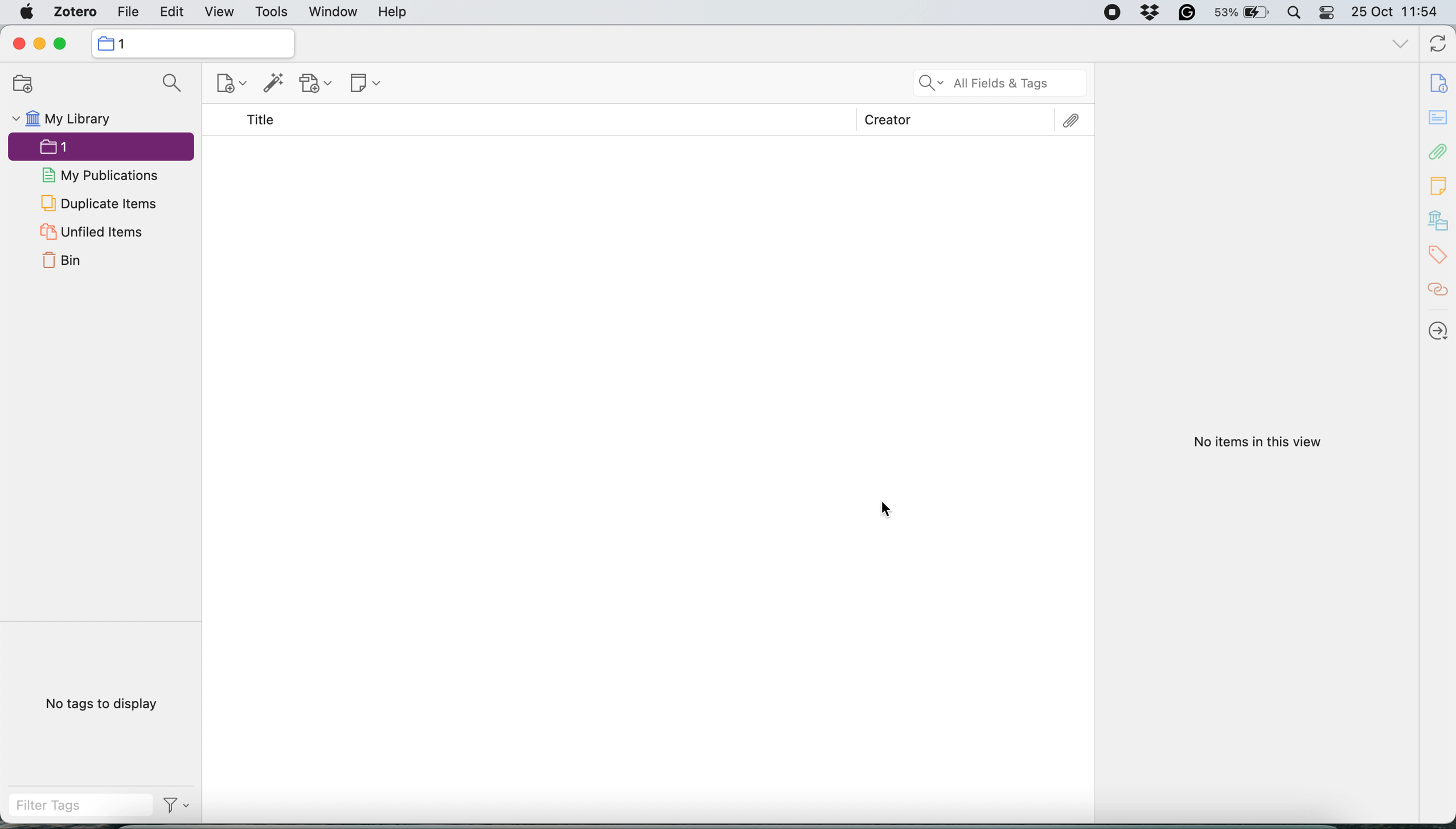  Describe the element at coordinates (170, 12) in the screenshot. I see `edit` at that location.